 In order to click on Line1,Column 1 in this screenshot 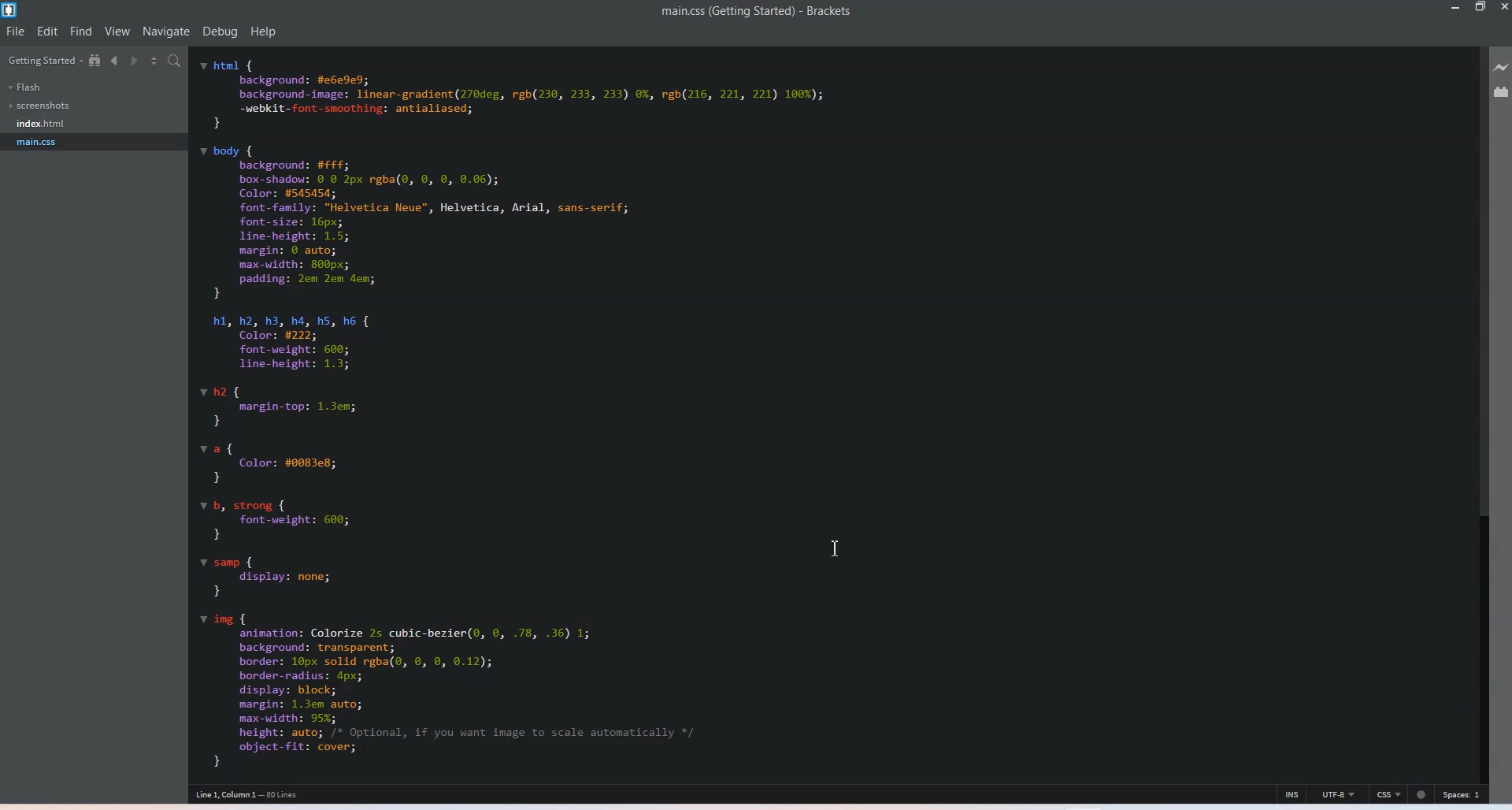, I will do `click(246, 795)`.